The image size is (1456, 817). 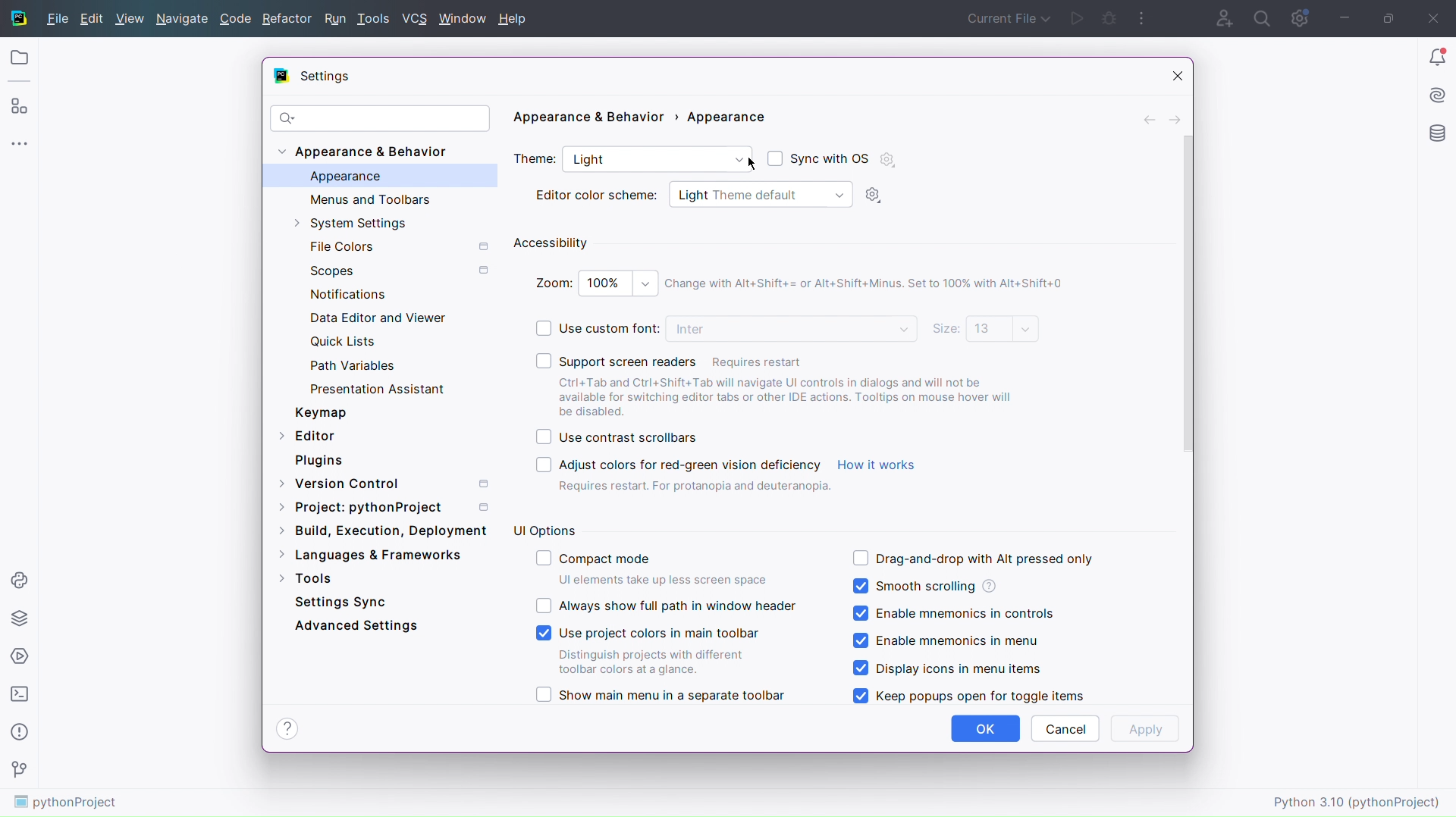 What do you see at coordinates (55, 19) in the screenshot?
I see `File` at bounding box center [55, 19].